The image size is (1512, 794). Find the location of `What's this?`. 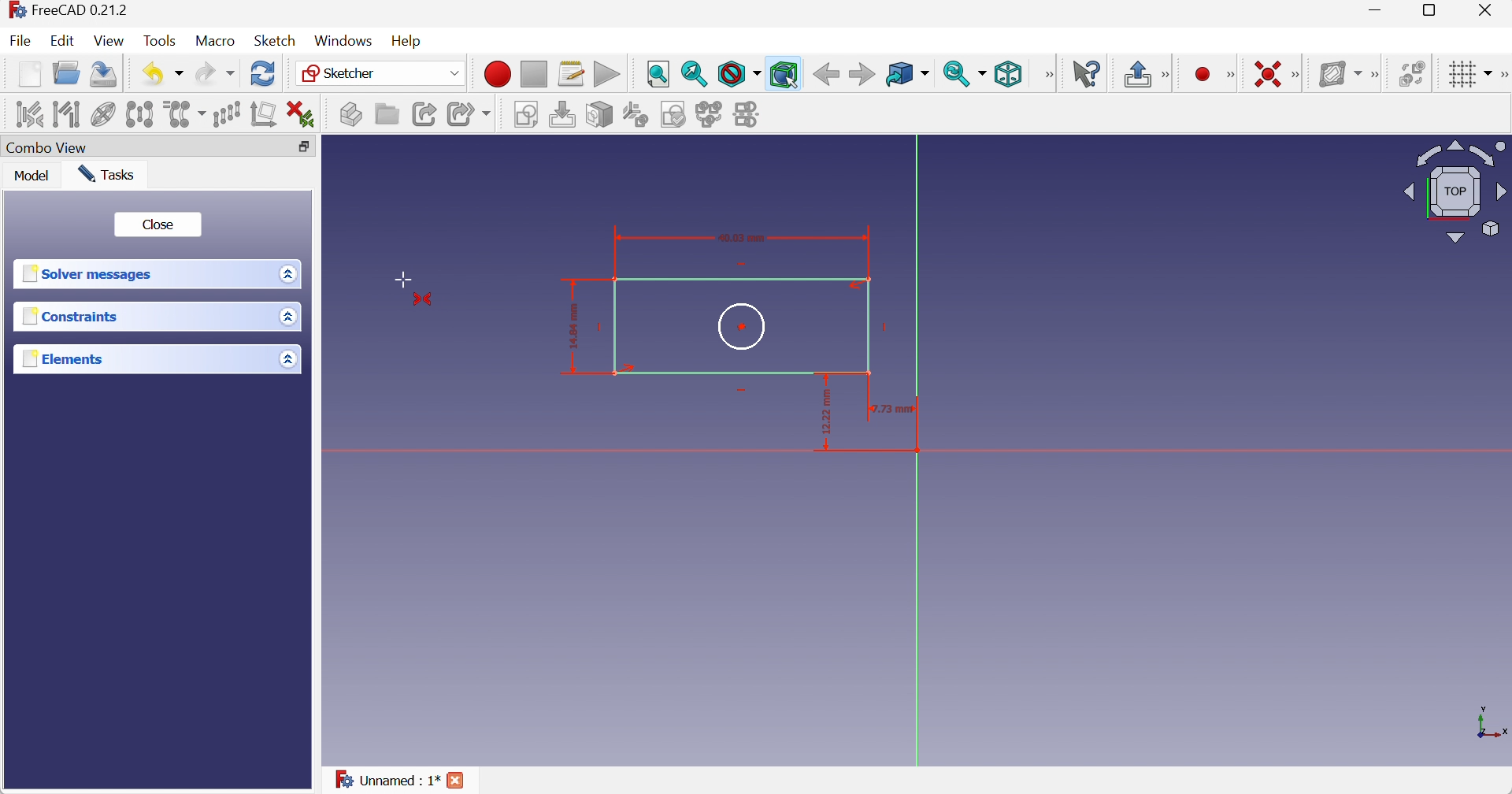

What's this? is located at coordinates (1087, 73).